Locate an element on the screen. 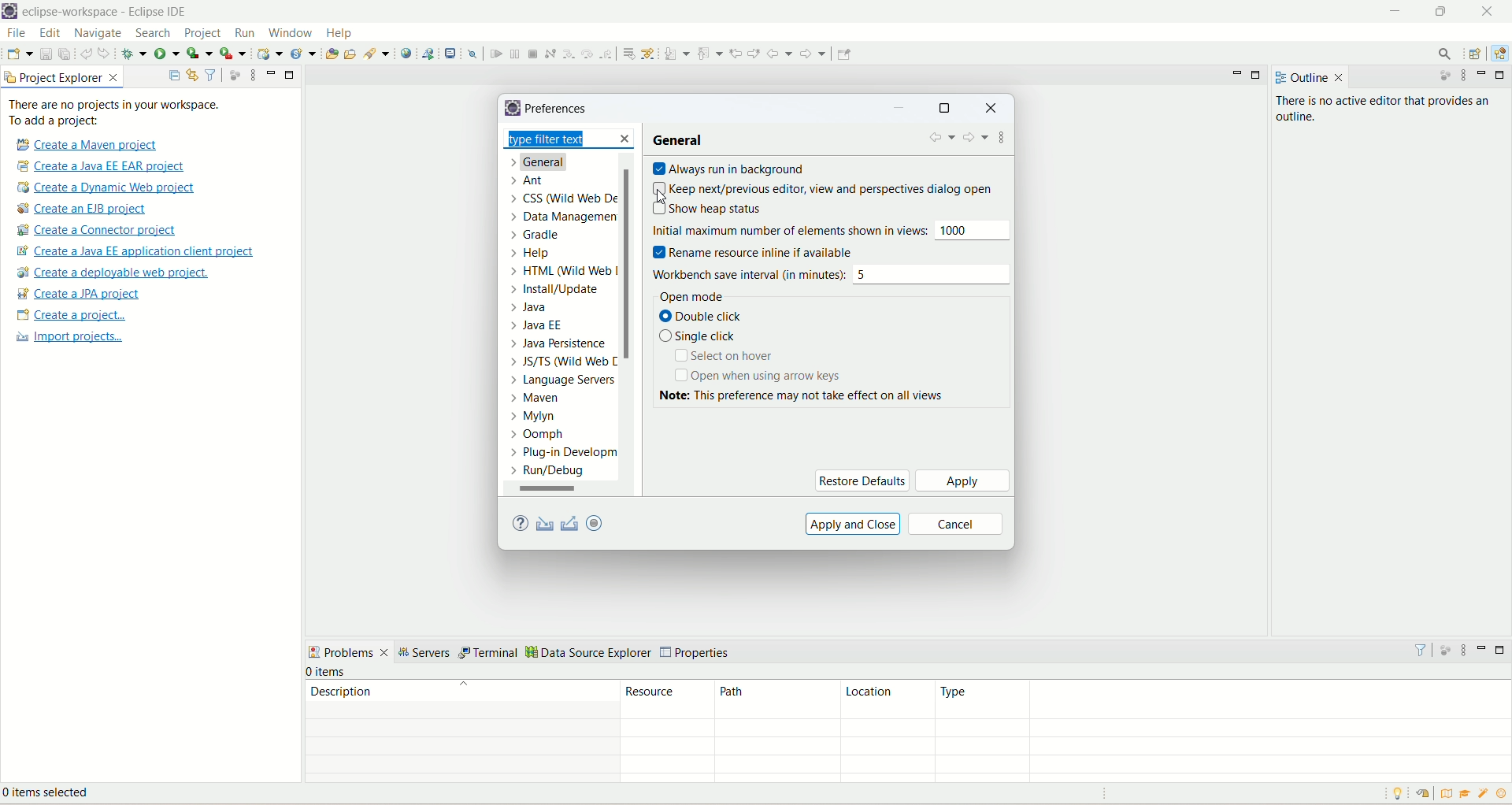  Java EE is located at coordinates (1498, 56).